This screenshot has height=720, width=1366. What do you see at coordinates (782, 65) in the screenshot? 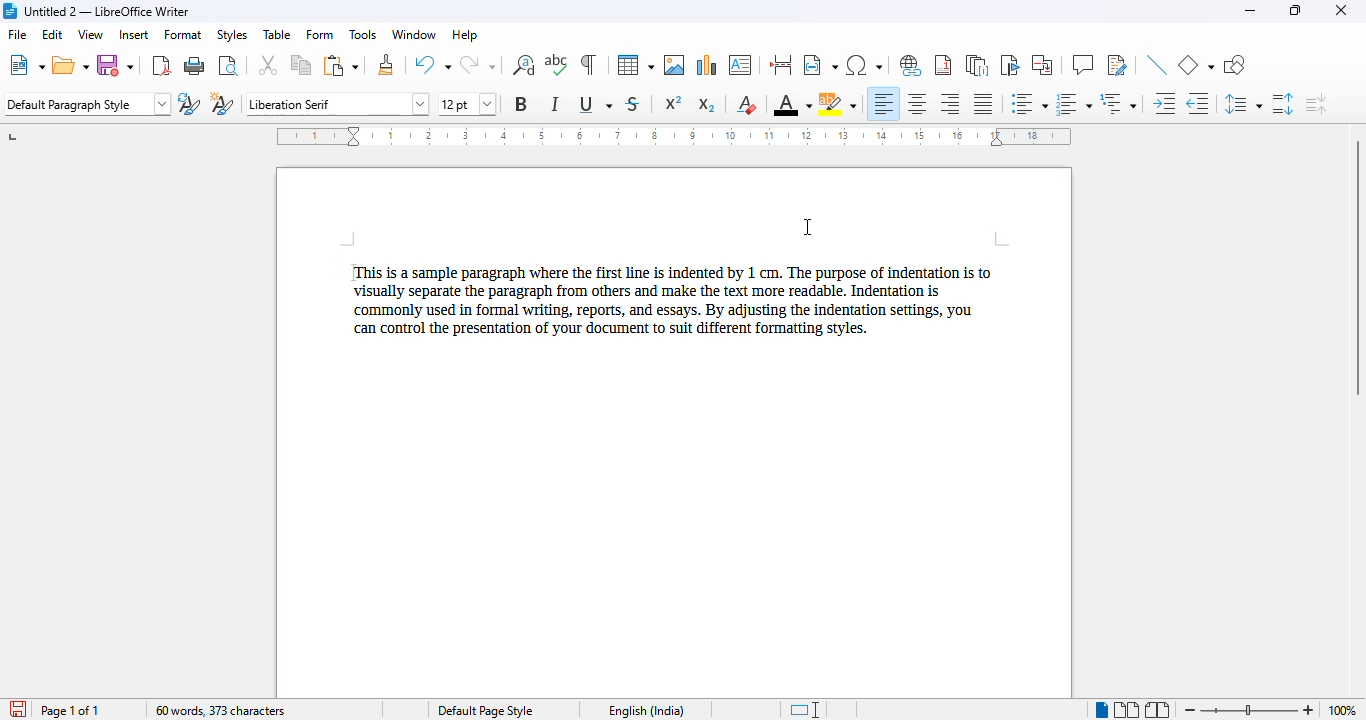
I see `insert page break` at bounding box center [782, 65].